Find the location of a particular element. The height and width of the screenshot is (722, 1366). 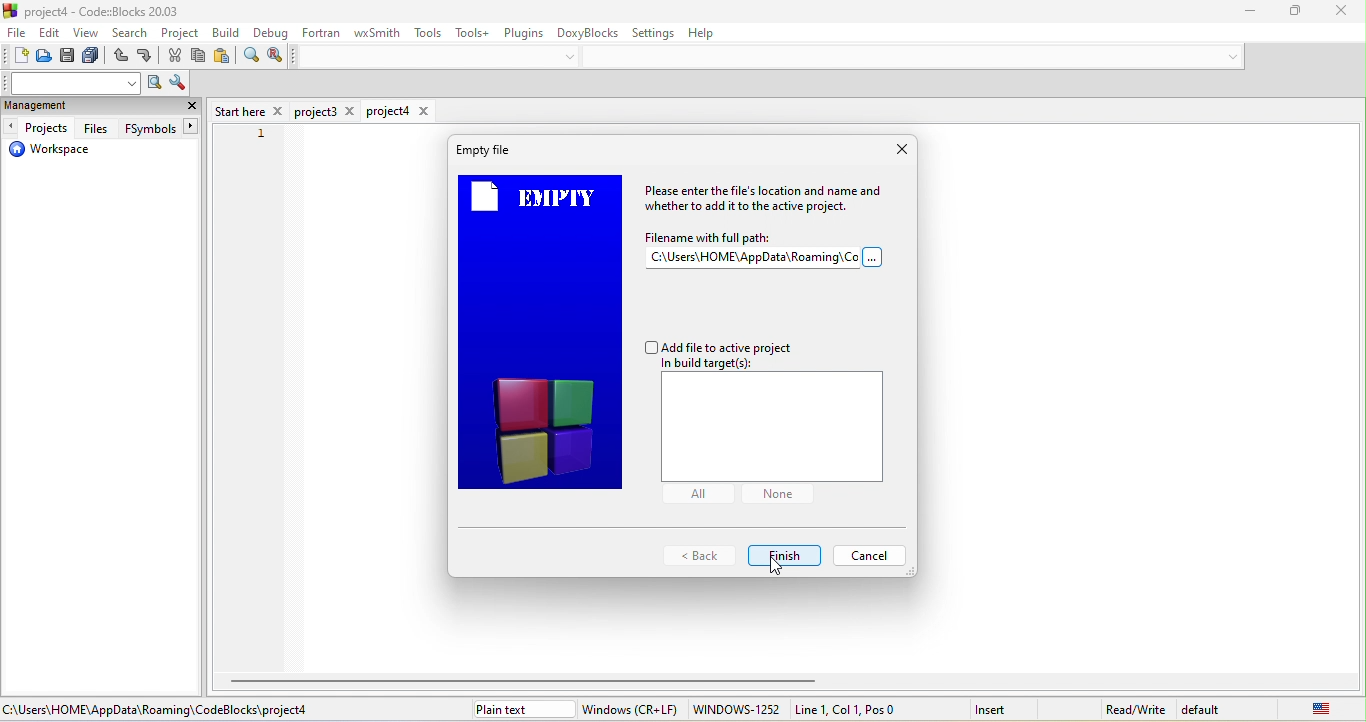

Minimize/Maximize is located at coordinates (1287, 12).